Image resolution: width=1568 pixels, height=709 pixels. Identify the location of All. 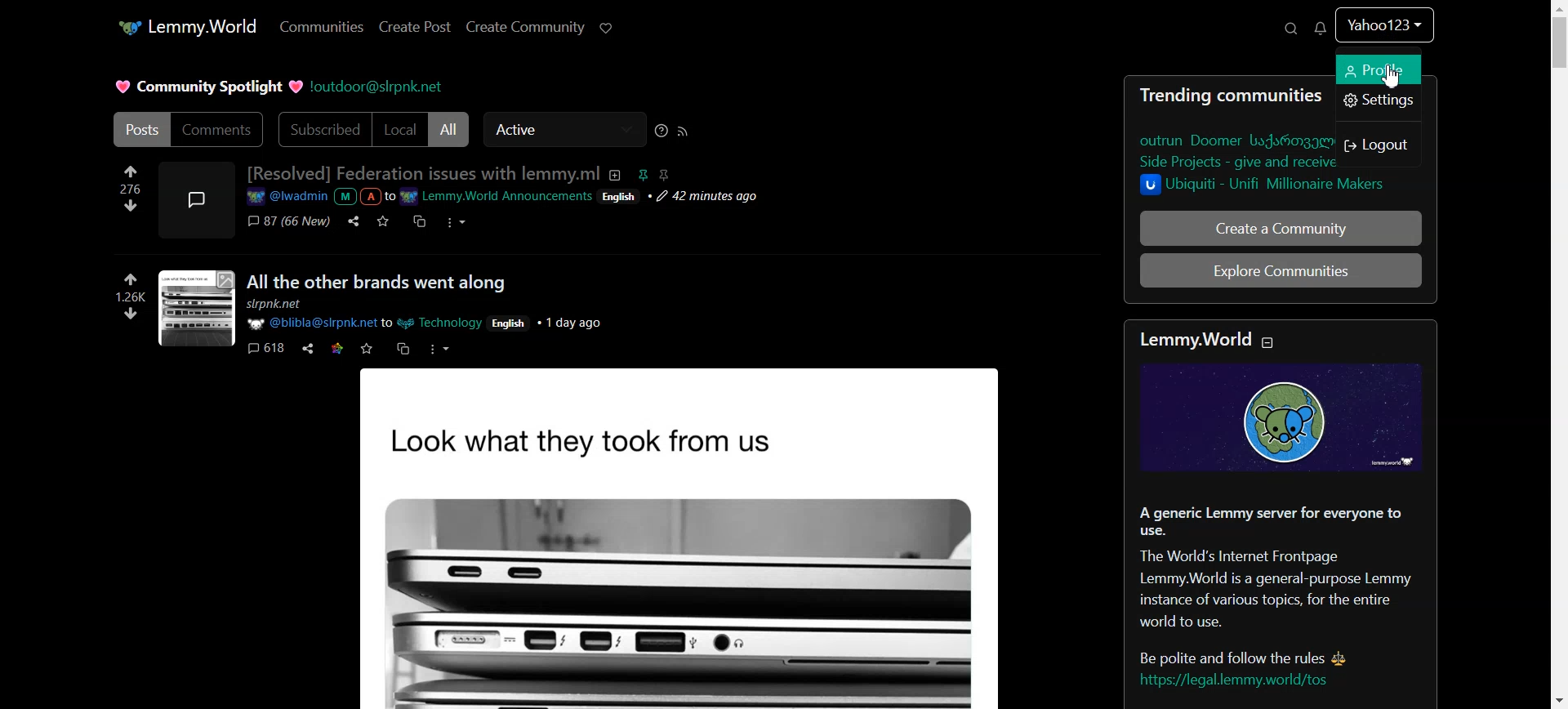
(450, 129).